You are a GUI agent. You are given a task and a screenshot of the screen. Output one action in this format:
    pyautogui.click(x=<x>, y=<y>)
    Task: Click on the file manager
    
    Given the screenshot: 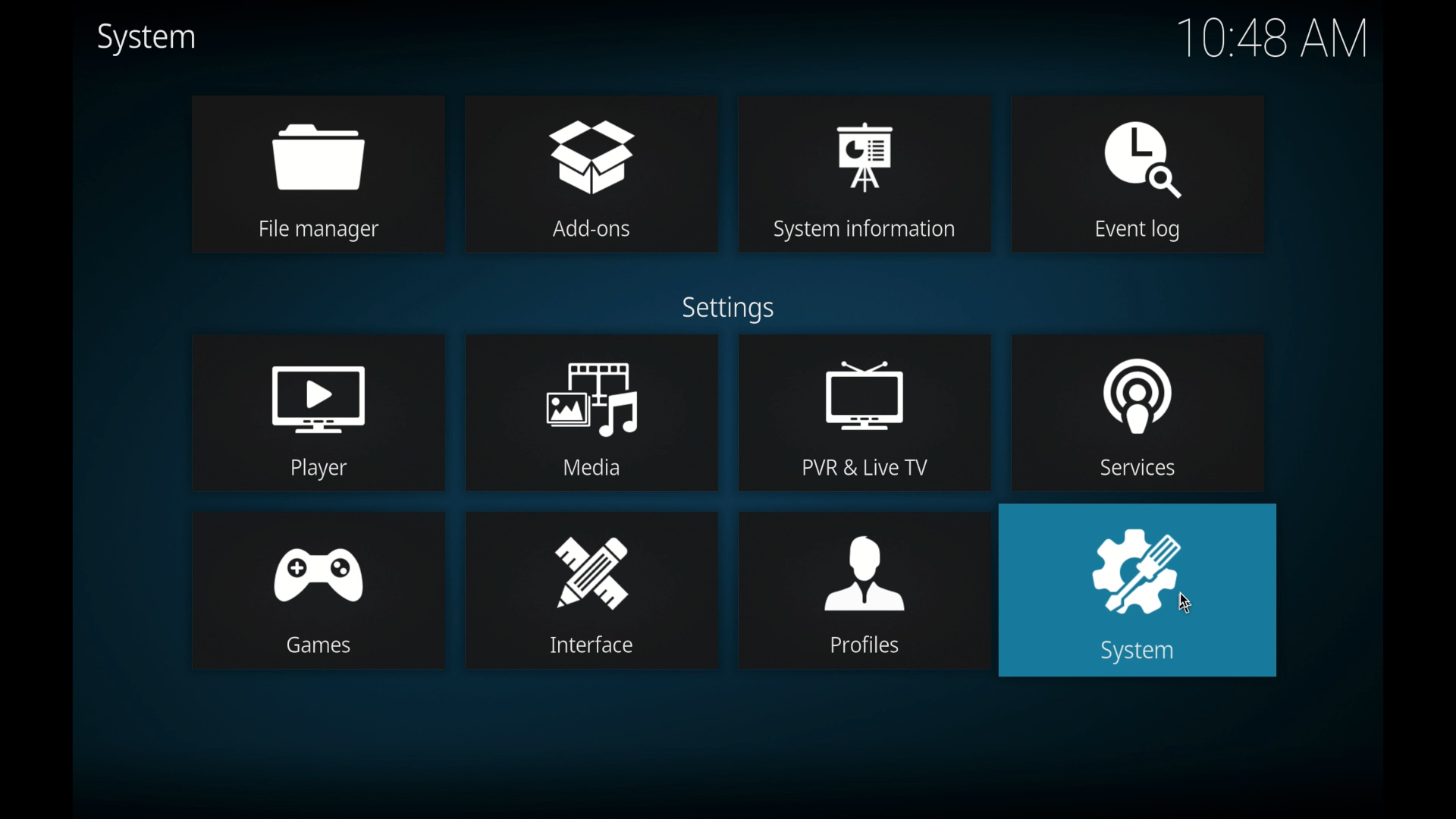 What is the action you would take?
    pyautogui.click(x=317, y=174)
    